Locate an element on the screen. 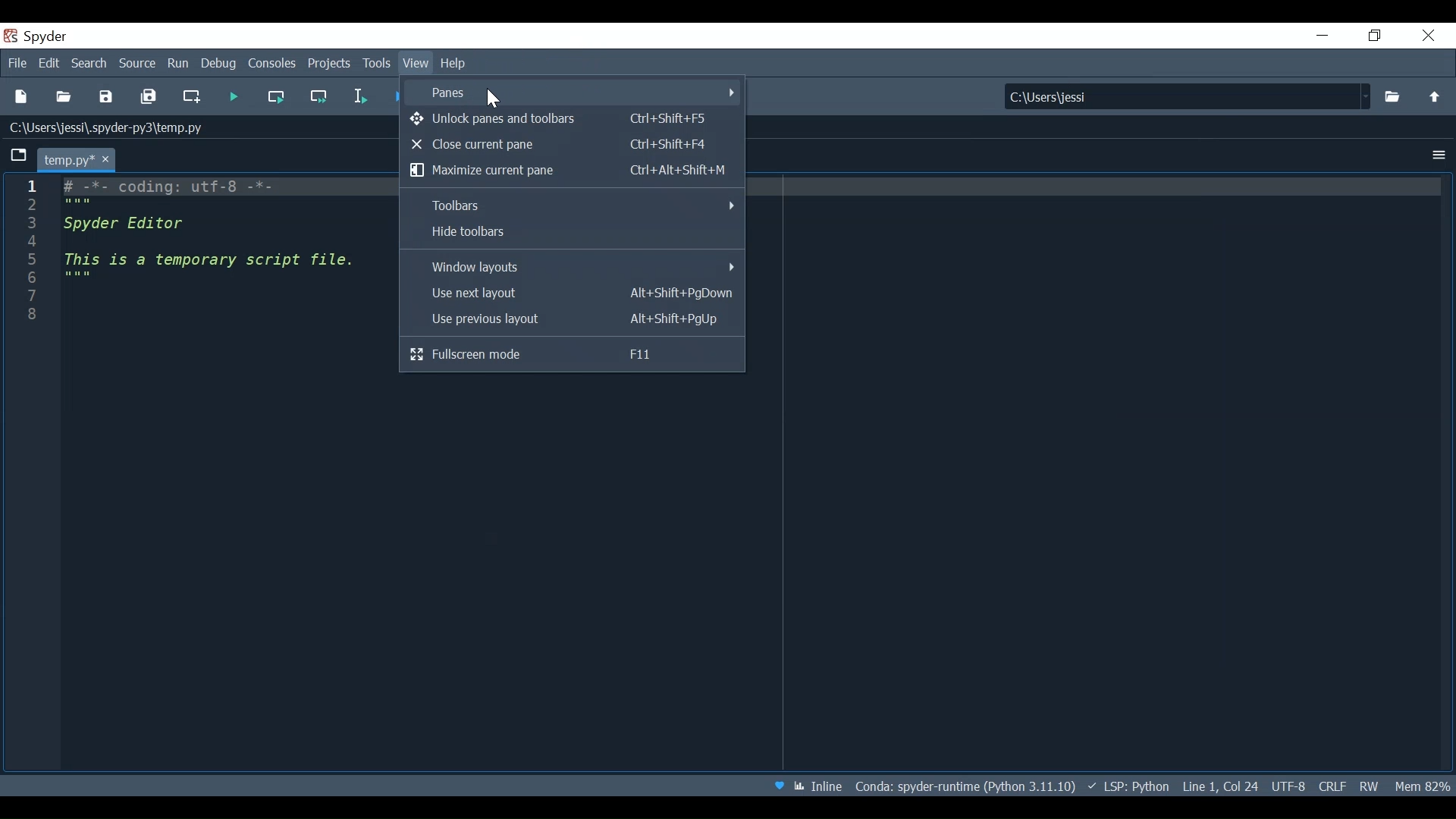 This screenshot has width=1456, height=819. Fullscreen mode is located at coordinates (572, 354).